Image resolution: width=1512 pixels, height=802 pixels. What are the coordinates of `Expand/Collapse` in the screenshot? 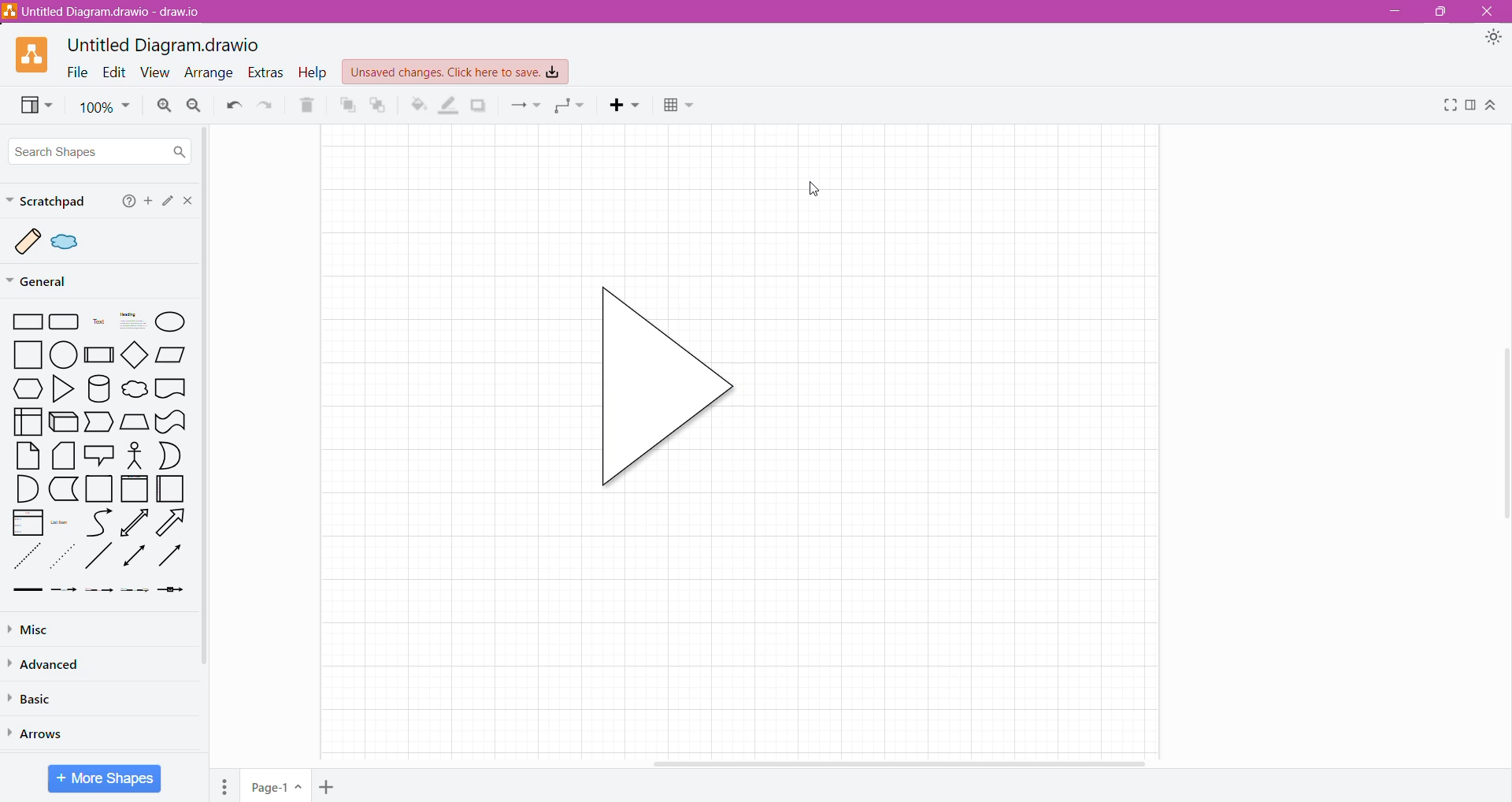 It's located at (1492, 104).